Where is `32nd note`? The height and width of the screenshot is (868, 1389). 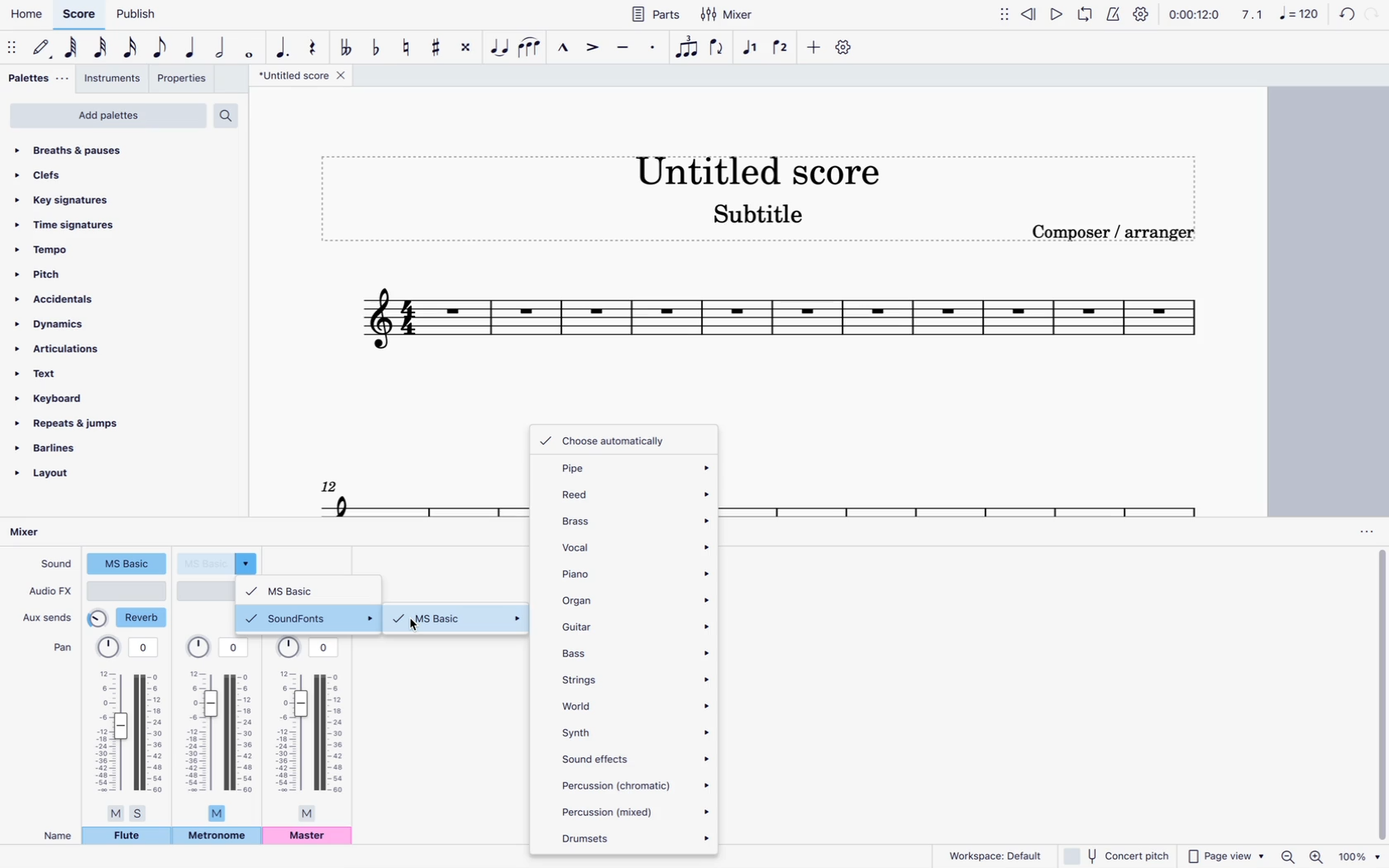 32nd note is located at coordinates (103, 49).